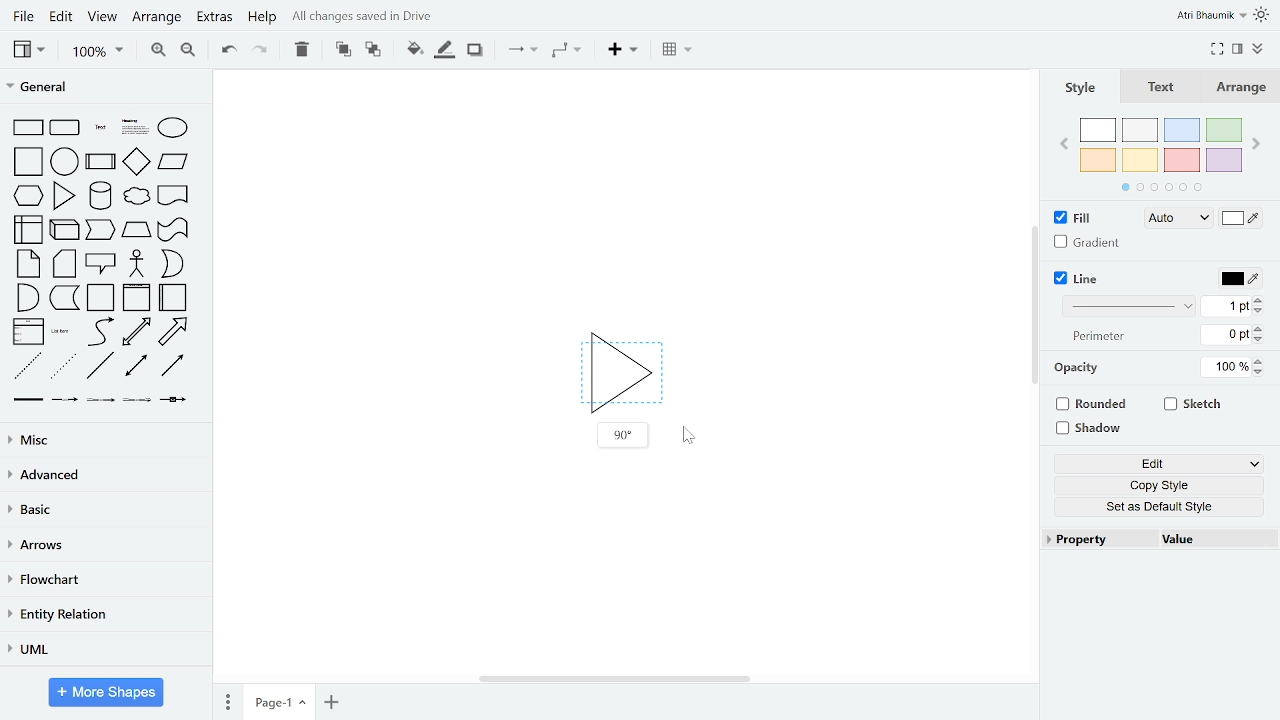  I want to click on text, so click(1162, 87).